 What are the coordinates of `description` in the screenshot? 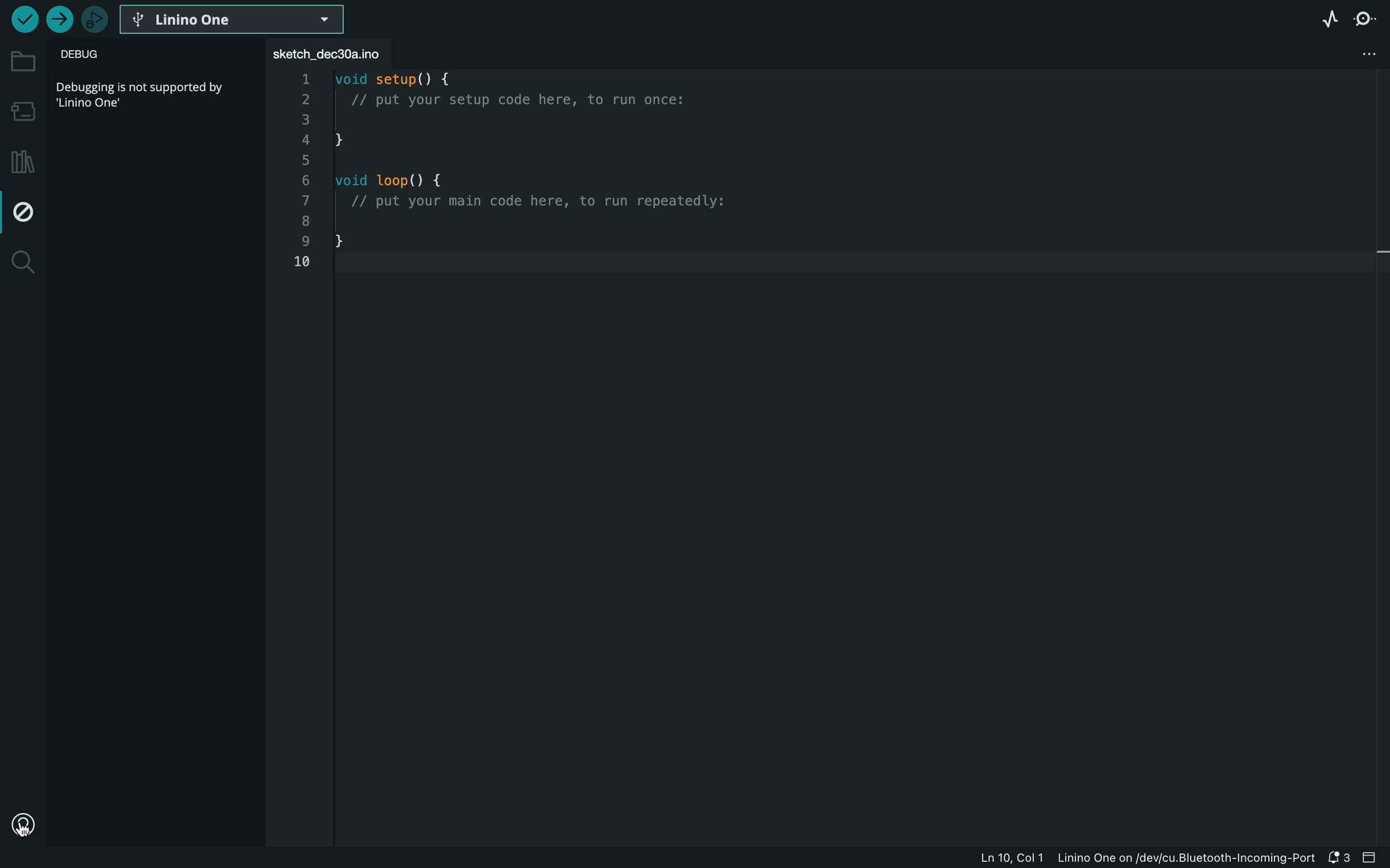 It's located at (144, 93).